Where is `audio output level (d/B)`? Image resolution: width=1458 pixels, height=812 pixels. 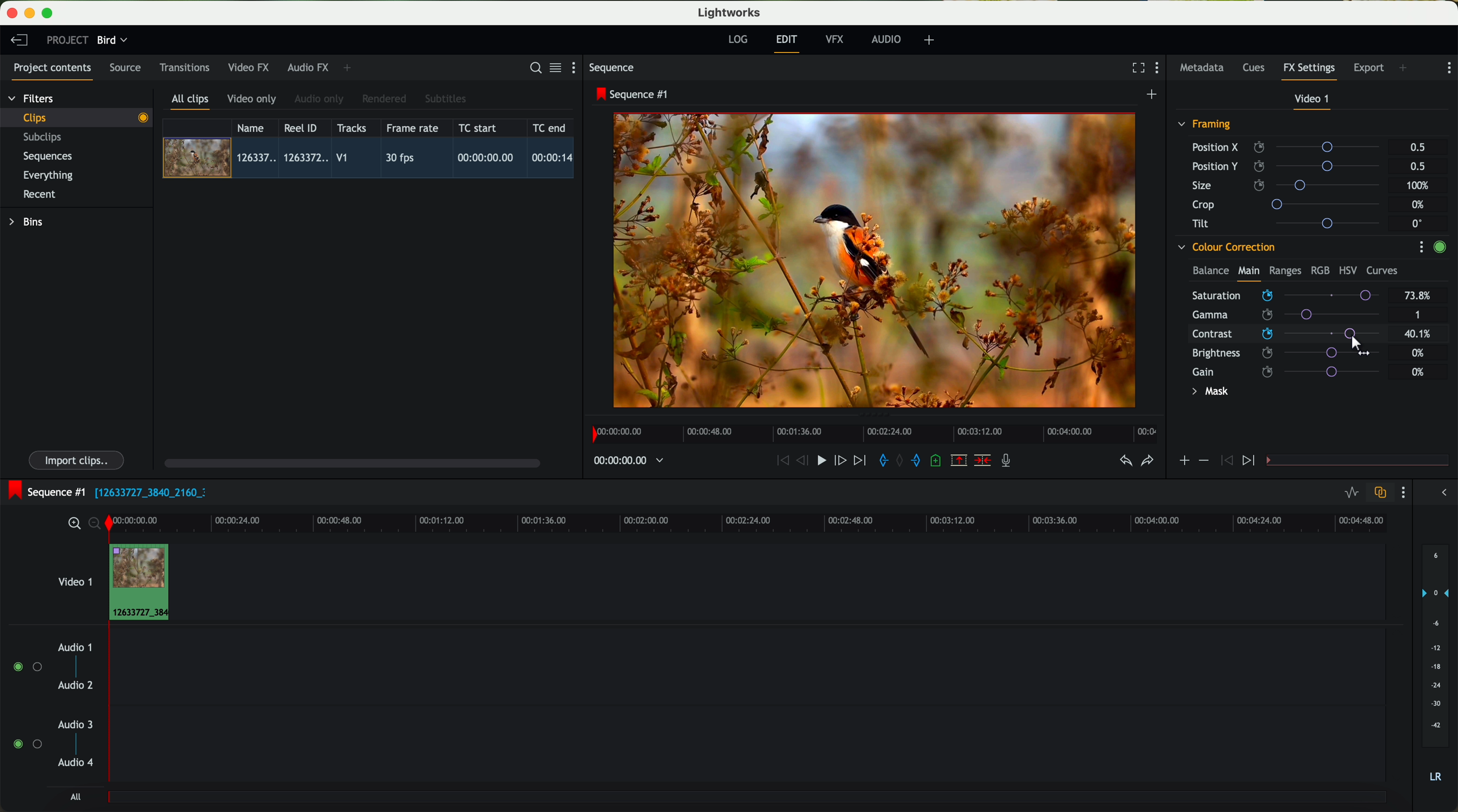 audio output level (d/B) is located at coordinates (1436, 667).